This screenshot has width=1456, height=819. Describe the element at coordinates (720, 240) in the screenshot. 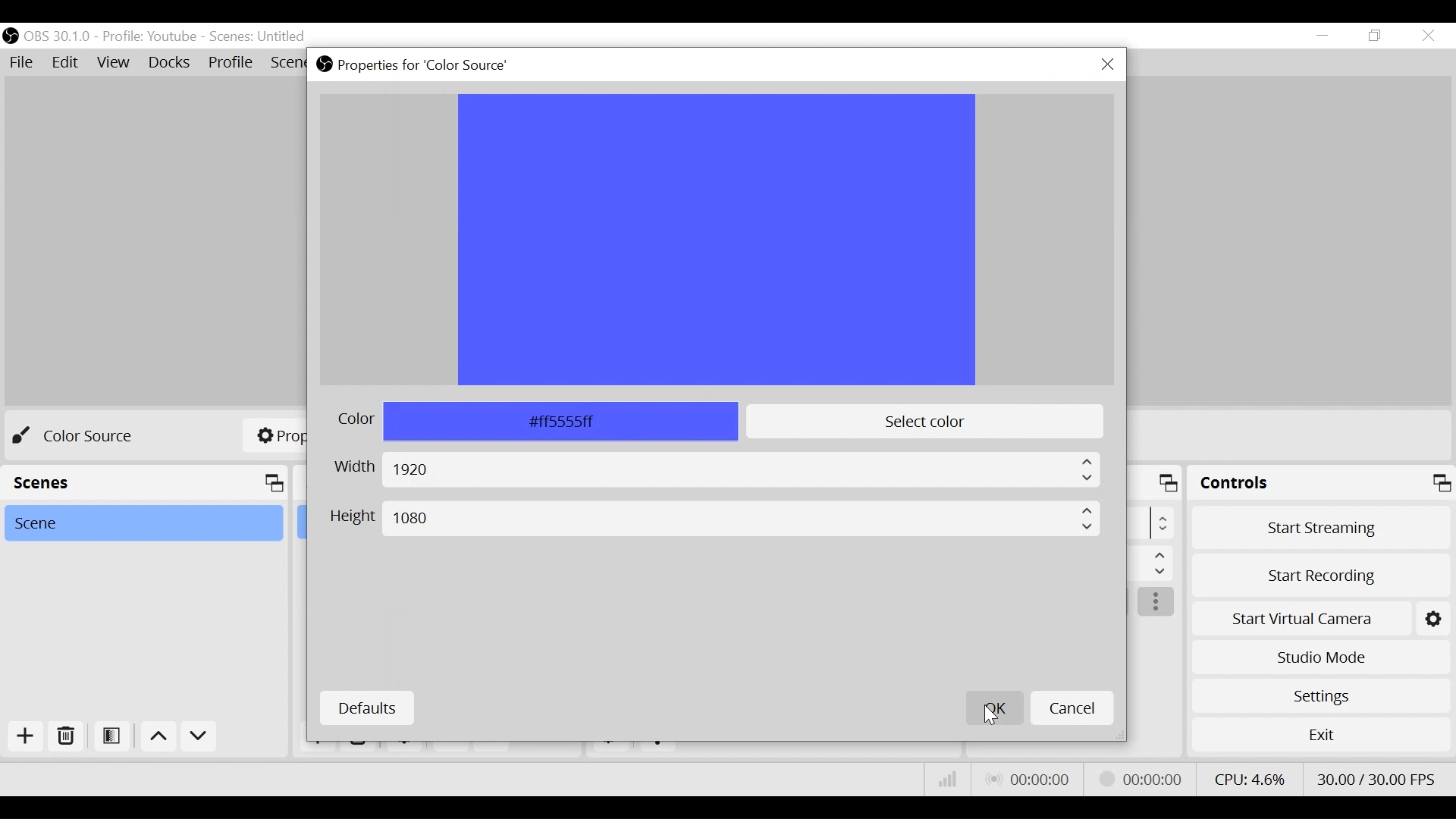

I see `Preview` at that location.